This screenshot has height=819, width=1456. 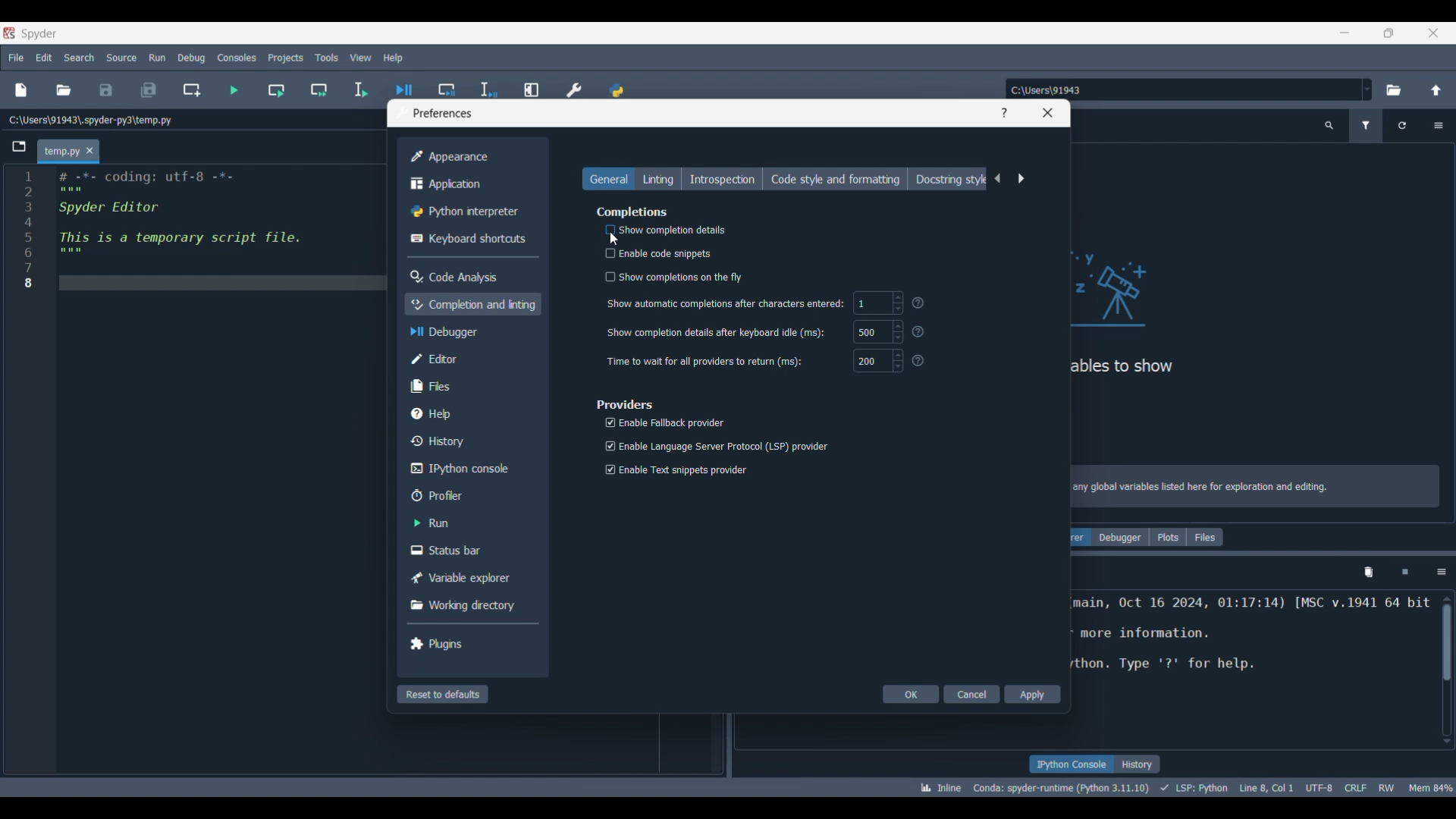 I want to click on File location, so click(x=89, y=120).